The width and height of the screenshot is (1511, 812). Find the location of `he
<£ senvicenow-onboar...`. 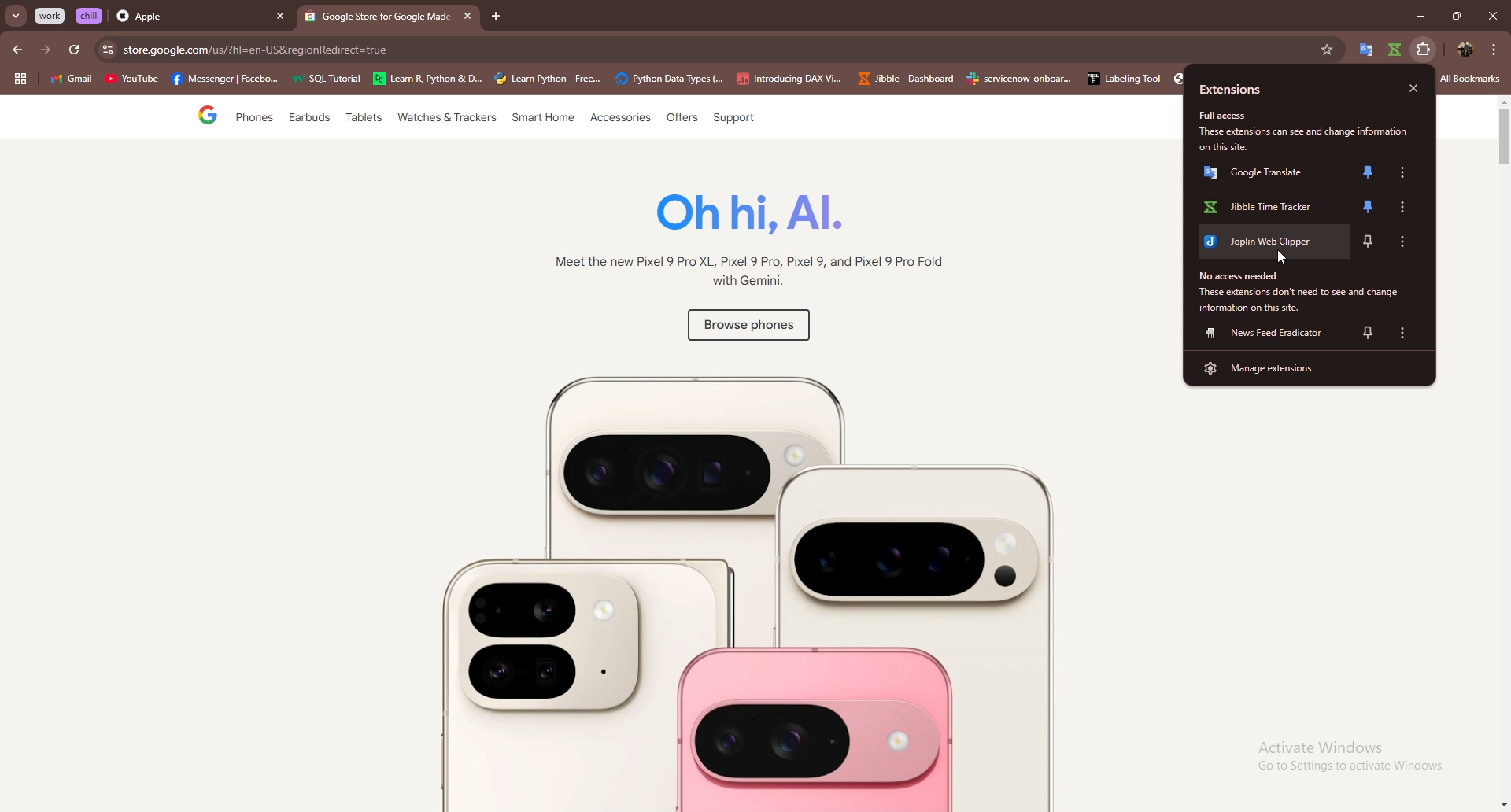

he
<£ senvicenow-onboar... is located at coordinates (1020, 79).